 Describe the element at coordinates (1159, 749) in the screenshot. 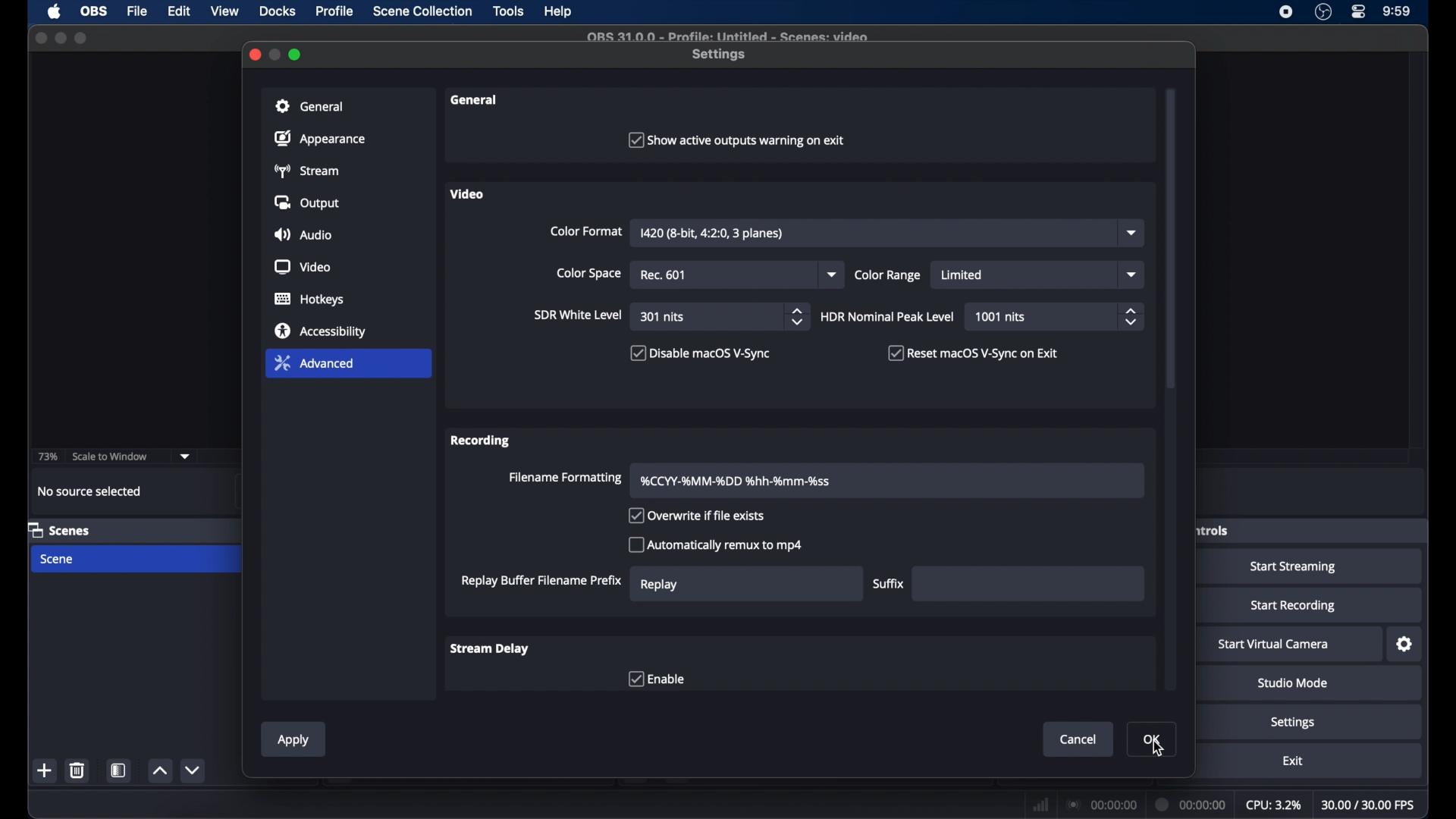

I see `cursor` at that location.